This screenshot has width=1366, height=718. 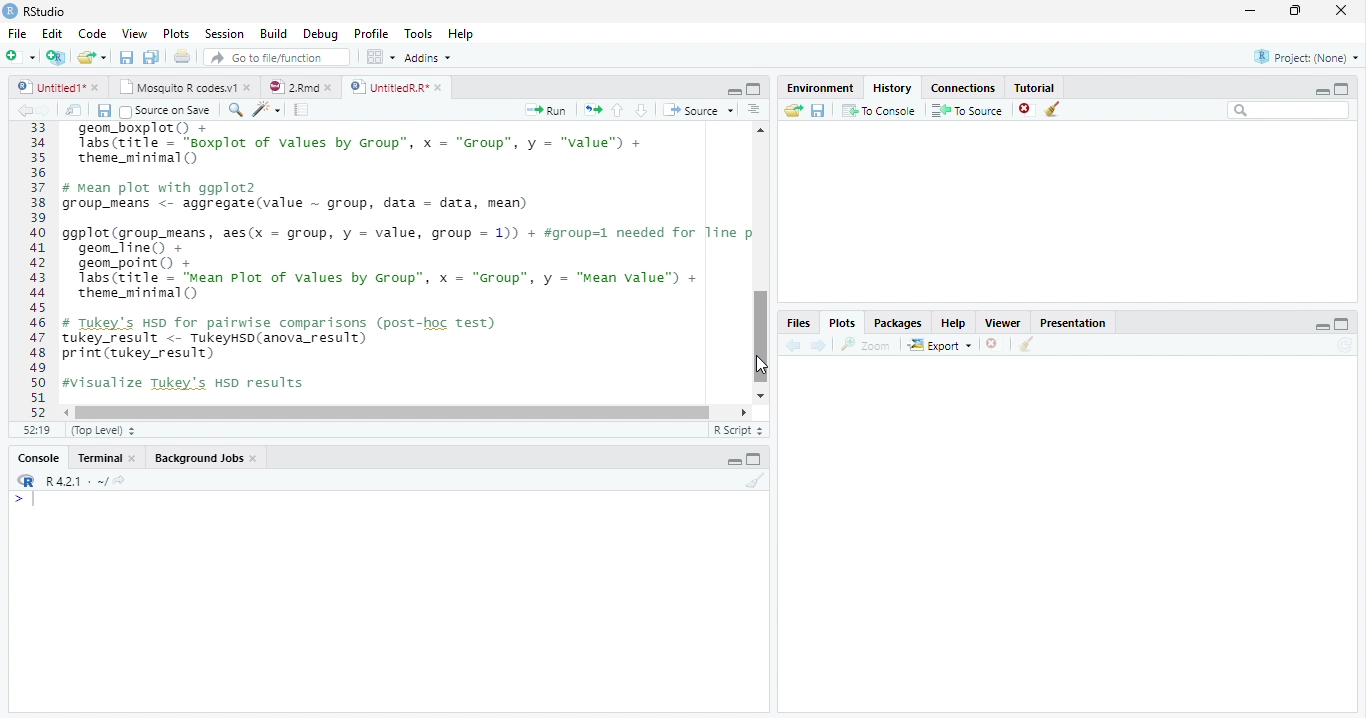 What do you see at coordinates (183, 57) in the screenshot?
I see `Print  the current file` at bounding box center [183, 57].